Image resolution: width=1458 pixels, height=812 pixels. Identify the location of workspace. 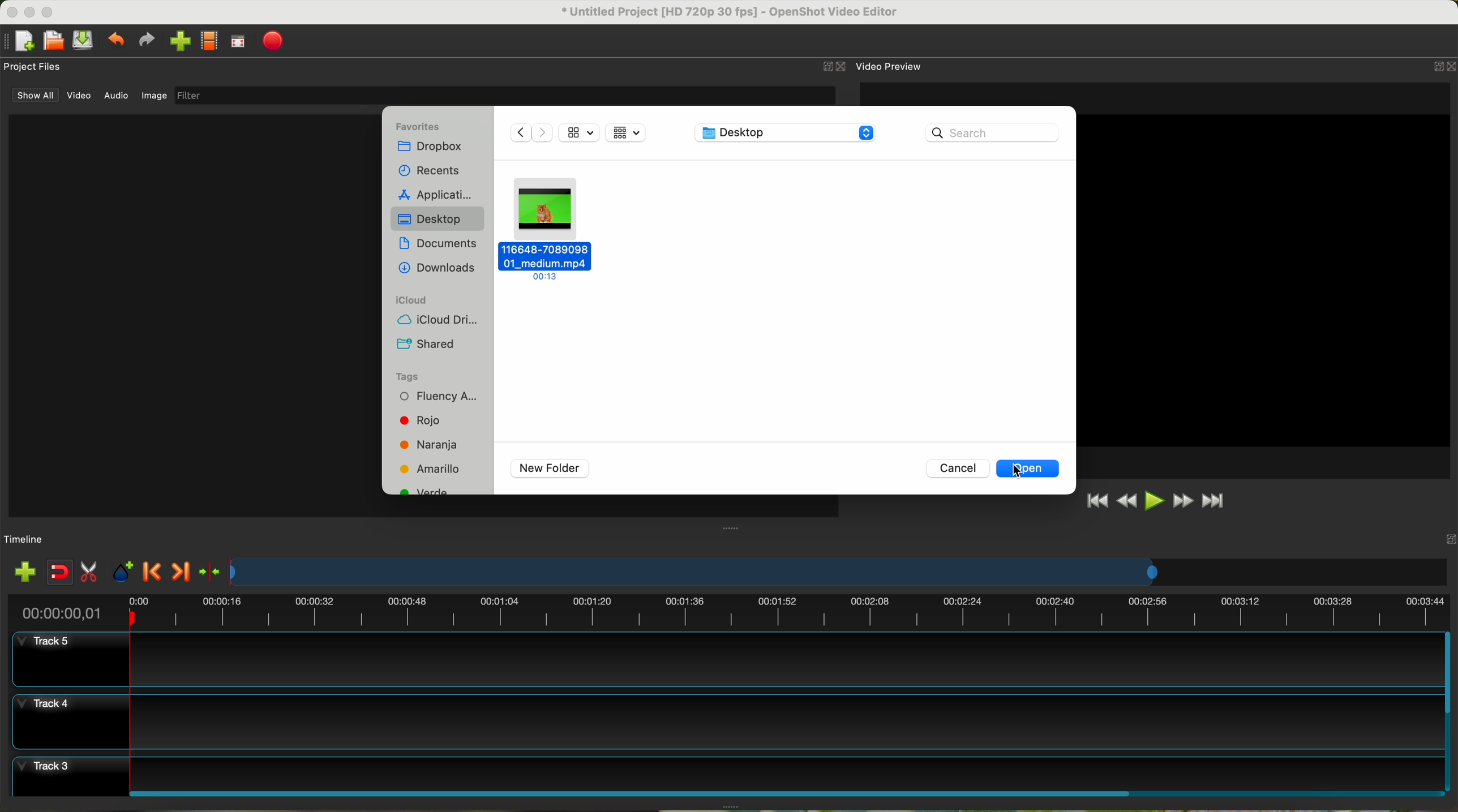
(1265, 280).